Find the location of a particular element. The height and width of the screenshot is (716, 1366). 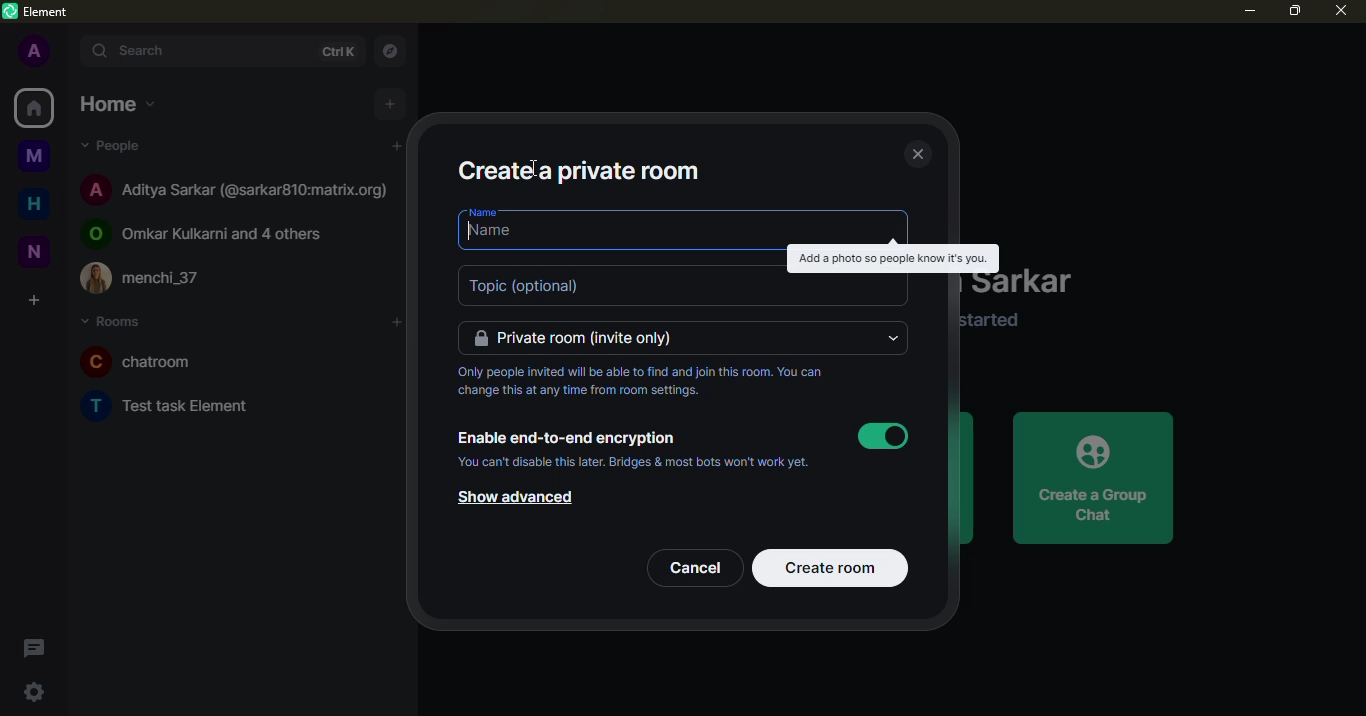

create a private room is located at coordinates (581, 167).